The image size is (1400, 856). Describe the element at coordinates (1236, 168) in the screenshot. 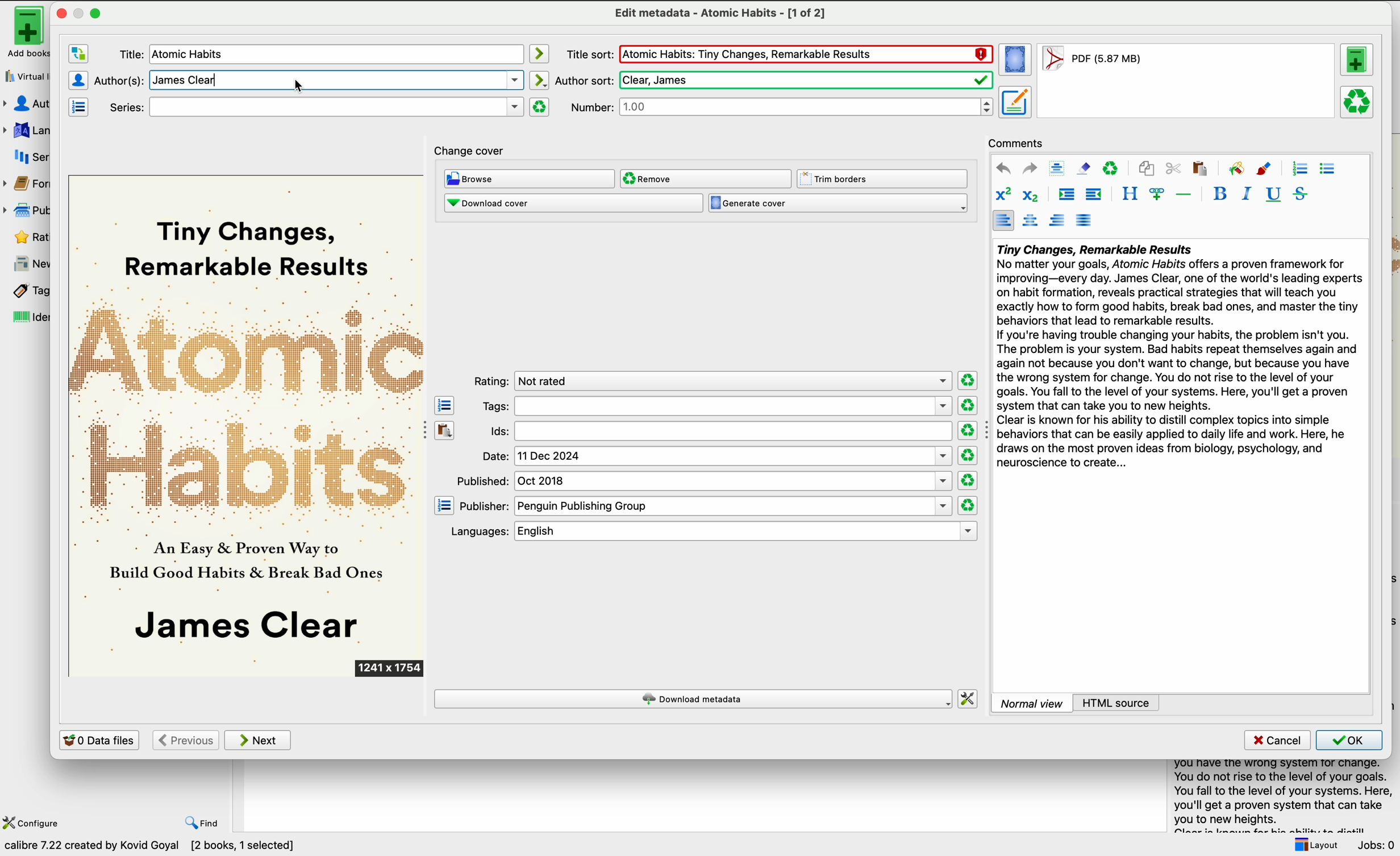

I see `background color` at that location.